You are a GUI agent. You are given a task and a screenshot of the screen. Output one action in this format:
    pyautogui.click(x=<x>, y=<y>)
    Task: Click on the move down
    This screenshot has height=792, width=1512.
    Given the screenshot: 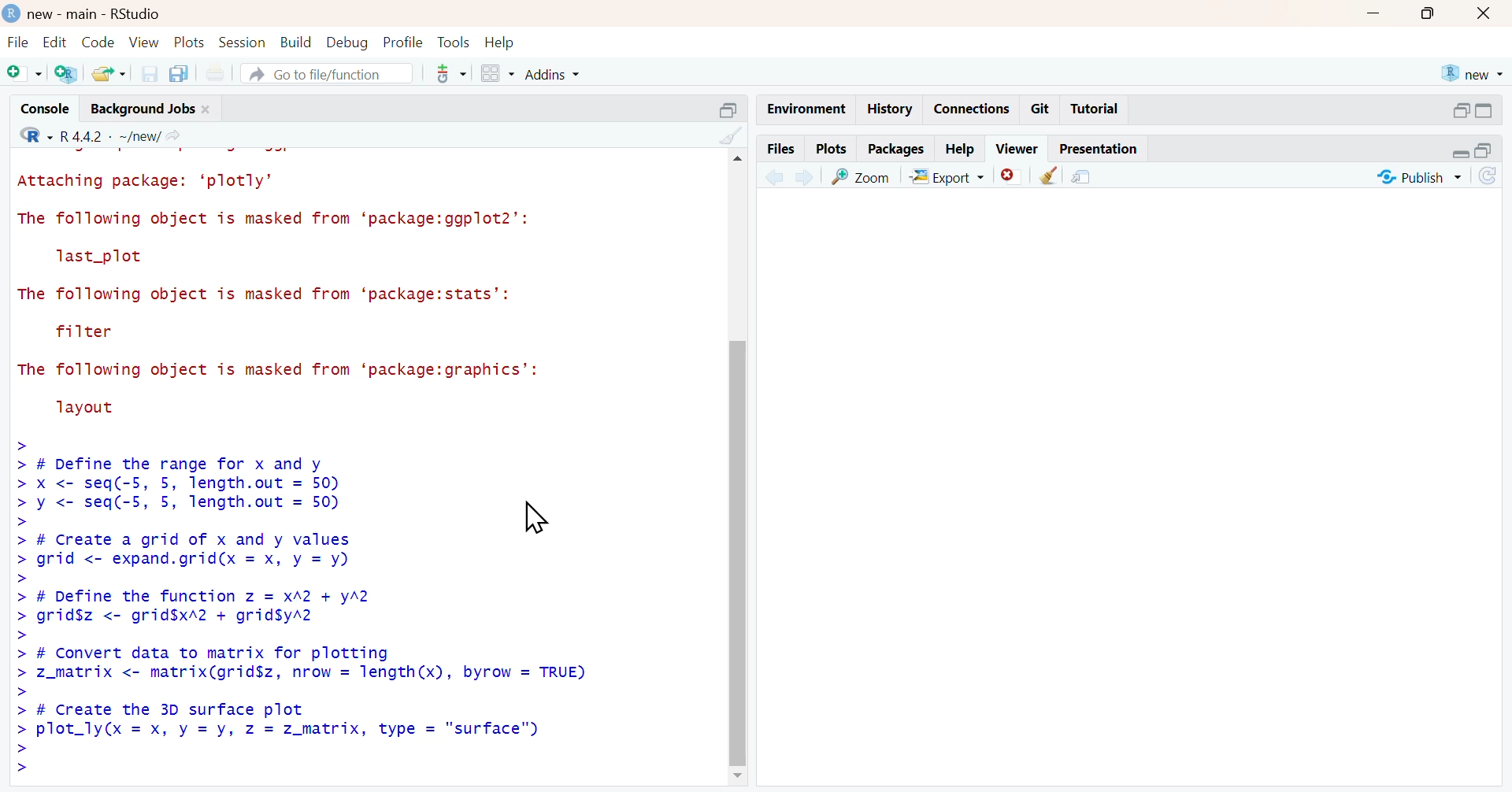 What is the action you would take?
    pyautogui.click(x=737, y=780)
    